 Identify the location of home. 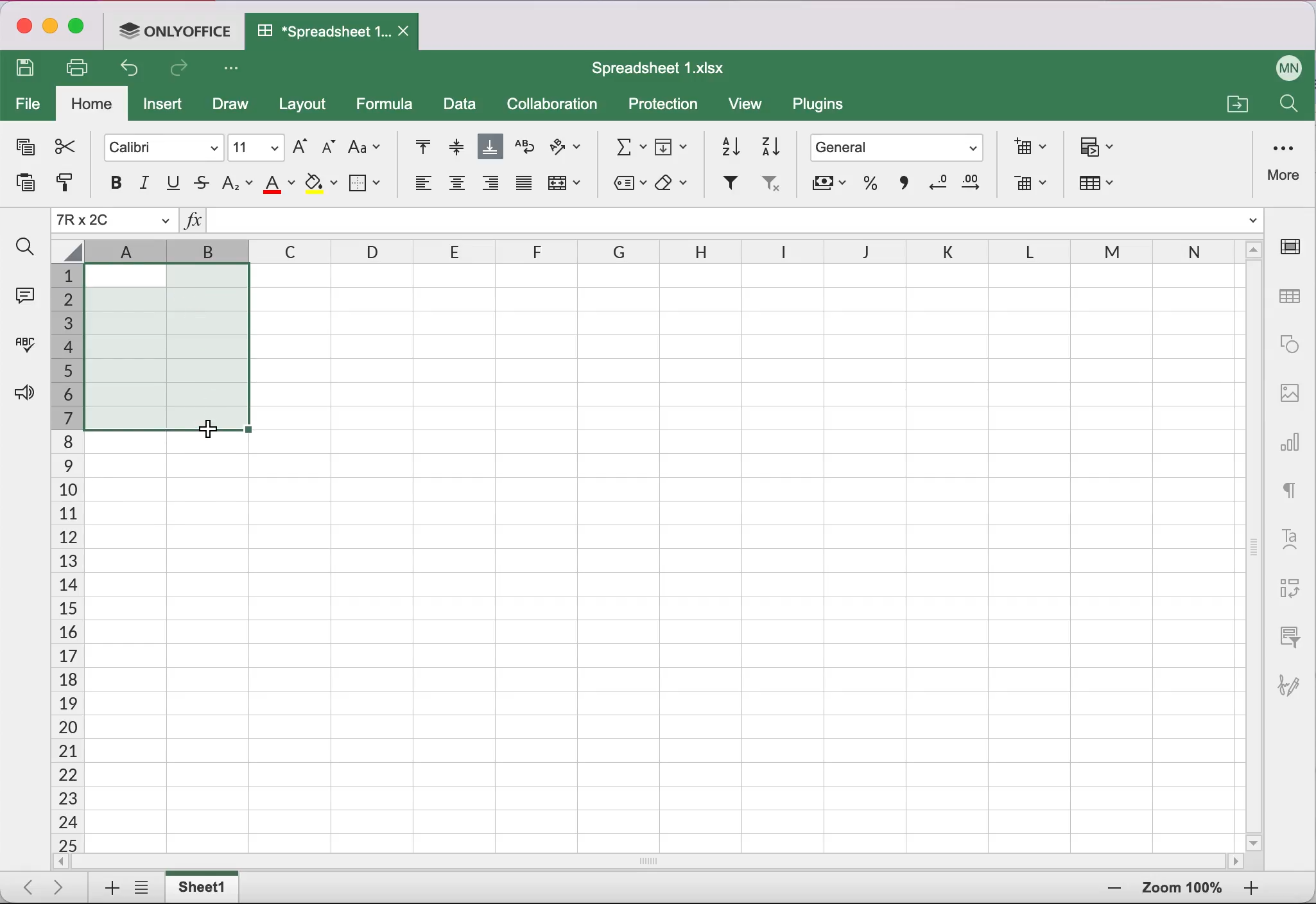
(92, 105).